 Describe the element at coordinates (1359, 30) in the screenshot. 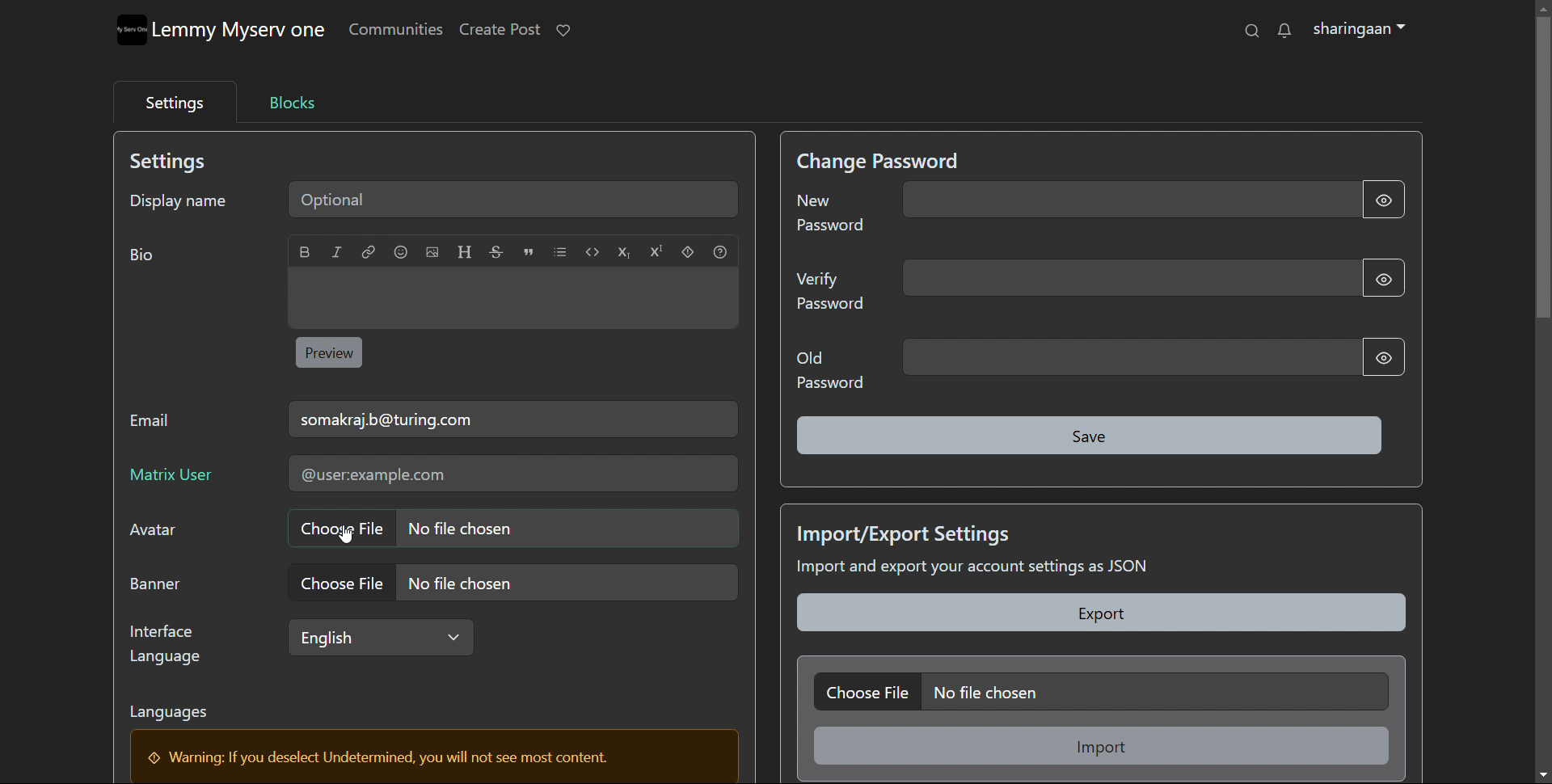

I see `profile` at that location.